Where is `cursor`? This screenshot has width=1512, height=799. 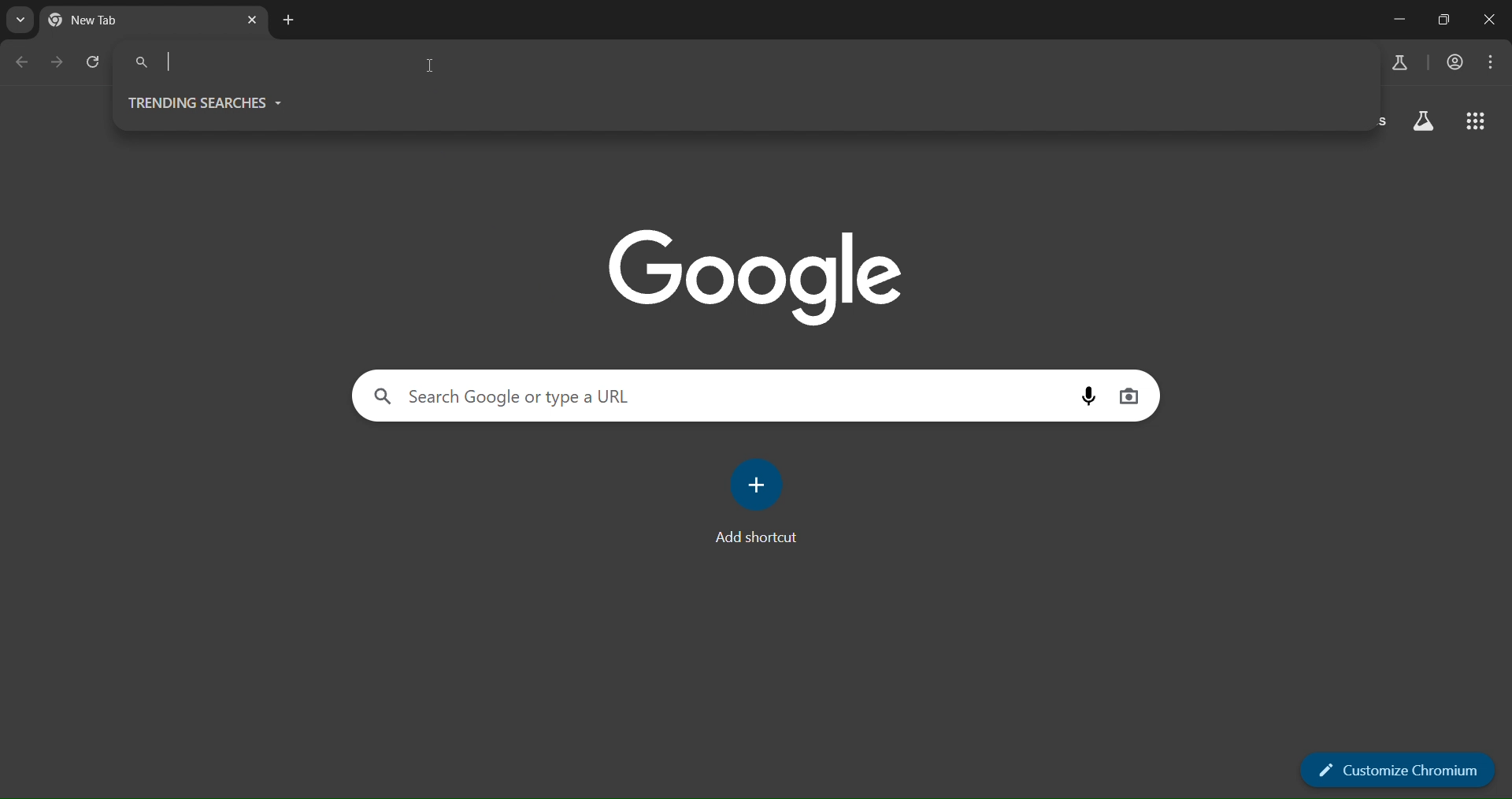
cursor is located at coordinates (433, 69).